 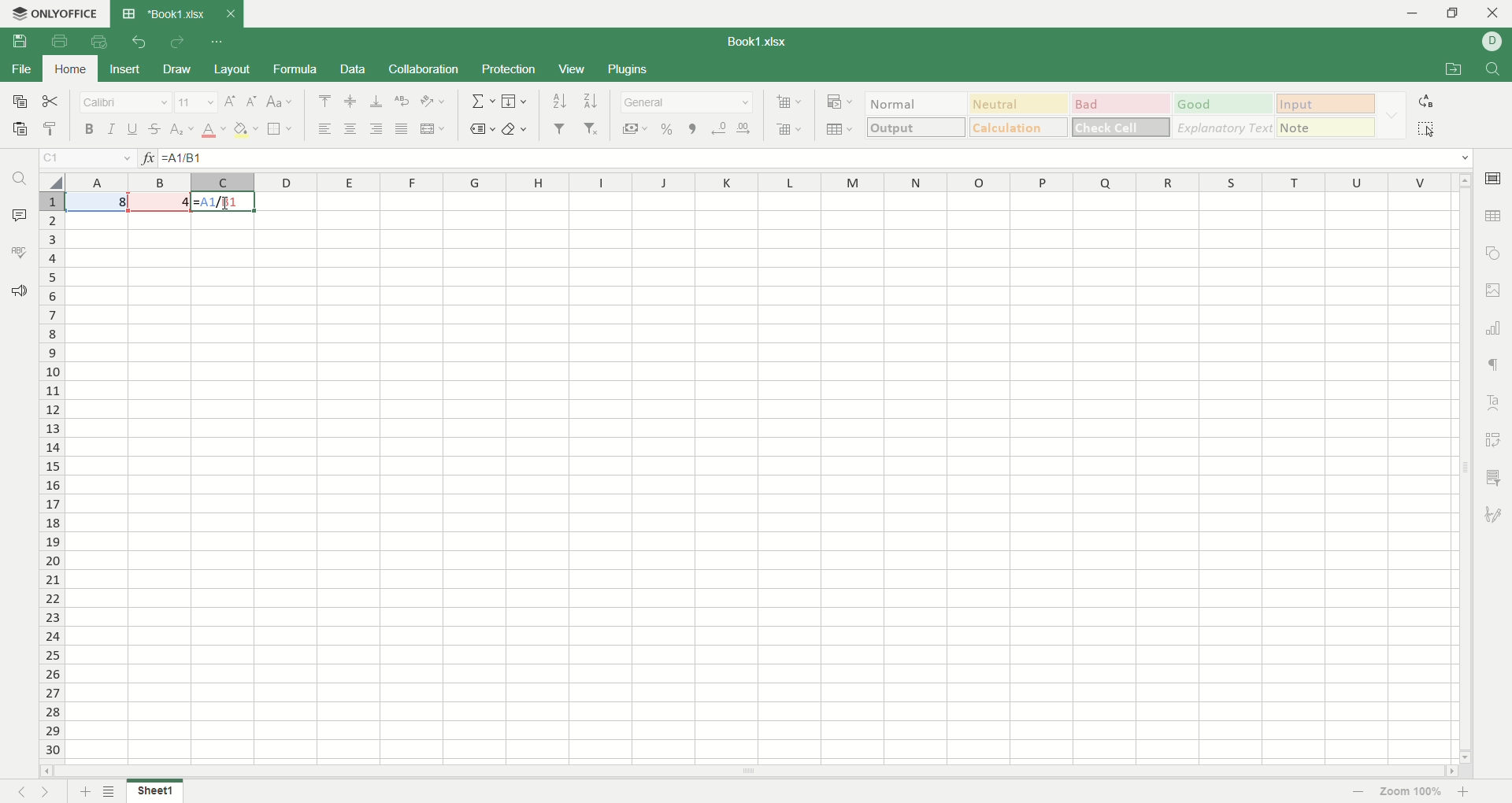 What do you see at coordinates (1497, 366) in the screenshot?
I see `paragraph settings` at bounding box center [1497, 366].